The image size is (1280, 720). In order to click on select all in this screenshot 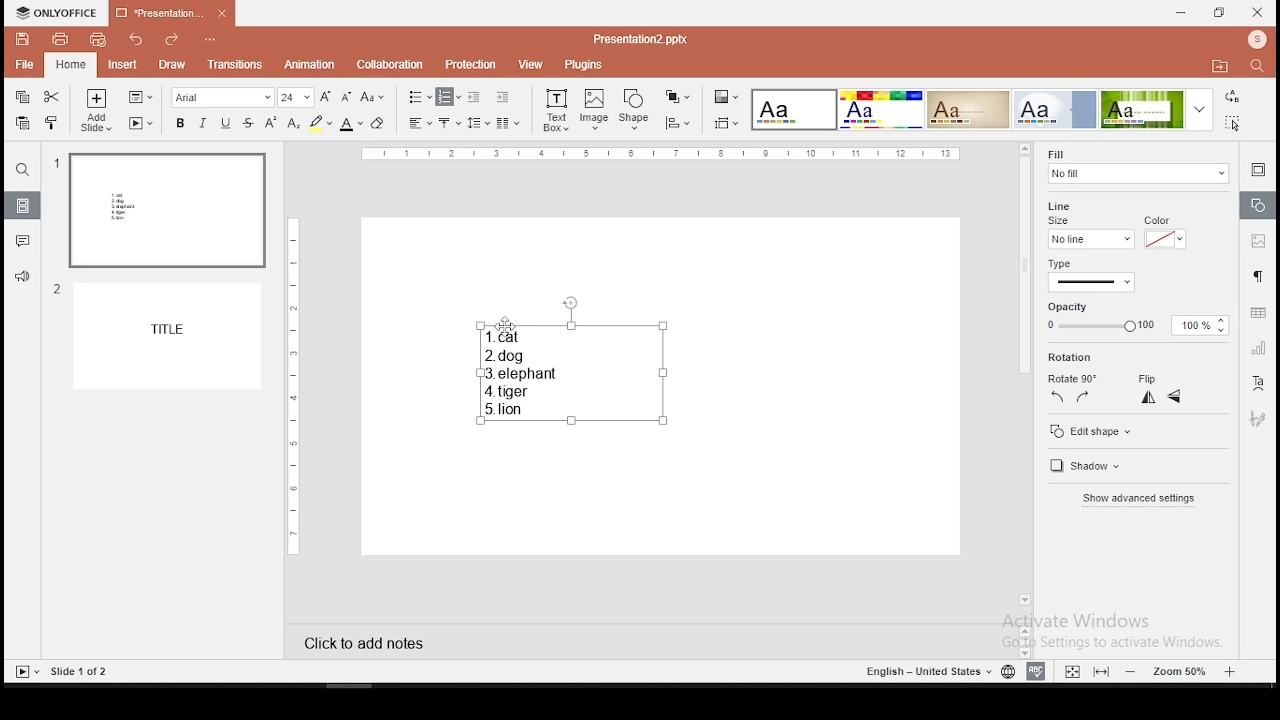, I will do `click(1236, 125)`.